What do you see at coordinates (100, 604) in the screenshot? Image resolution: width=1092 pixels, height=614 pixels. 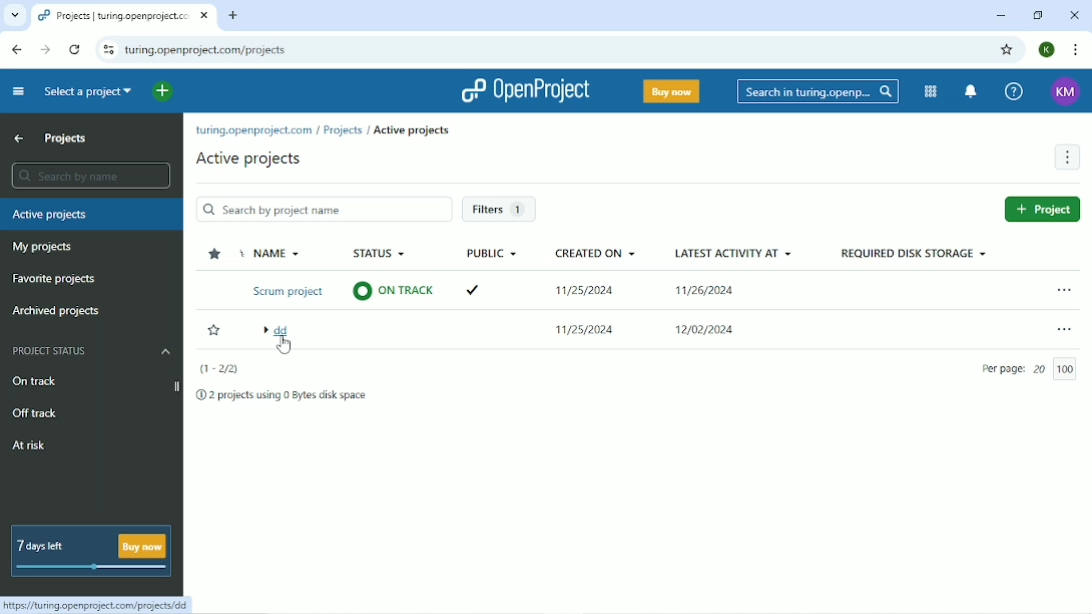 I see `Link` at bounding box center [100, 604].